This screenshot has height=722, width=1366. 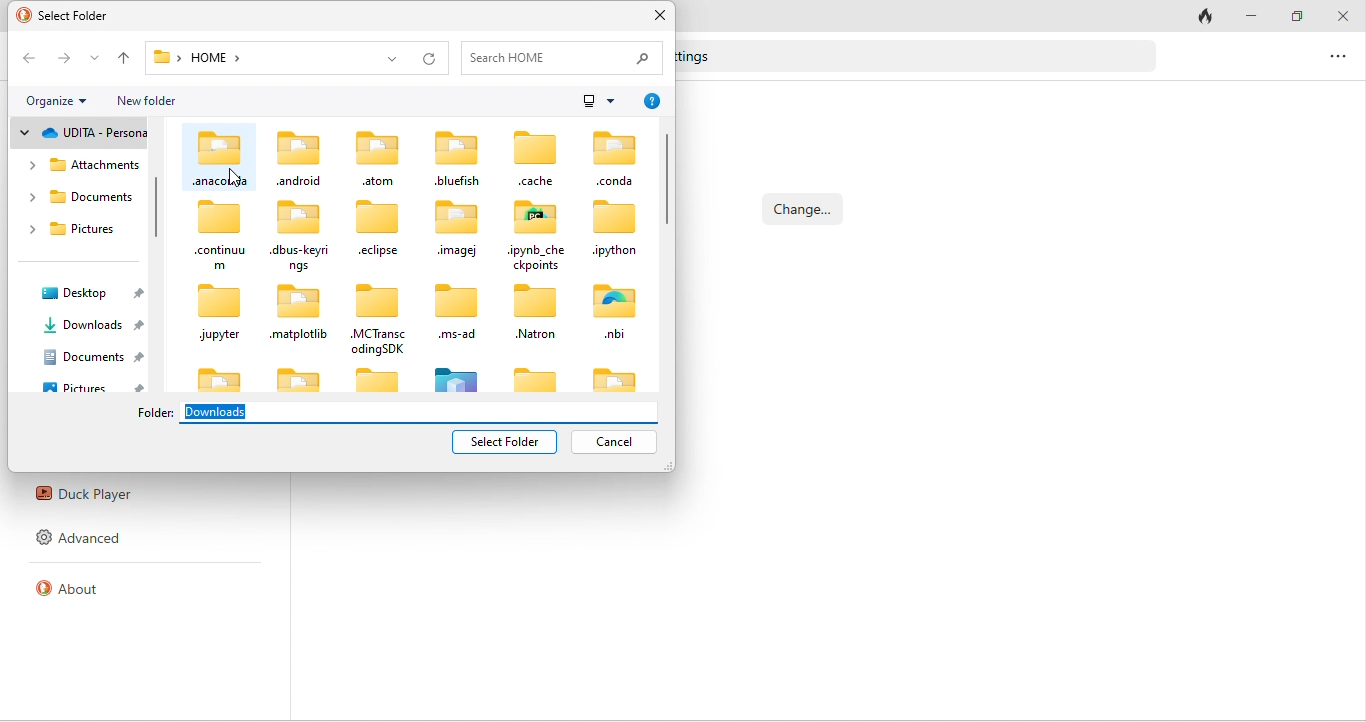 I want to click on about, so click(x=82, y=595).